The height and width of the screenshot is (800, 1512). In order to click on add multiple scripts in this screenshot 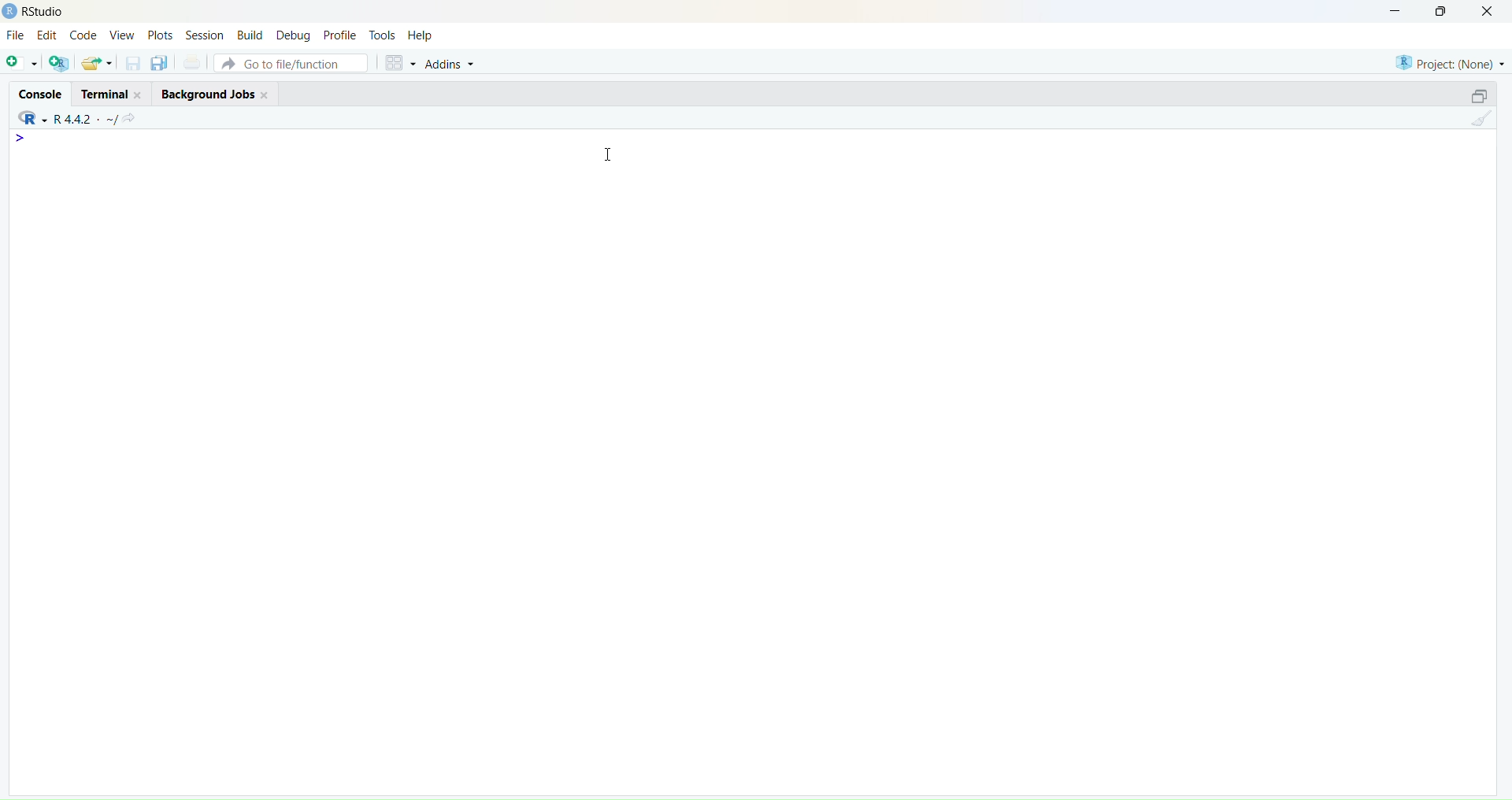, I will do `click(60, 65)`.